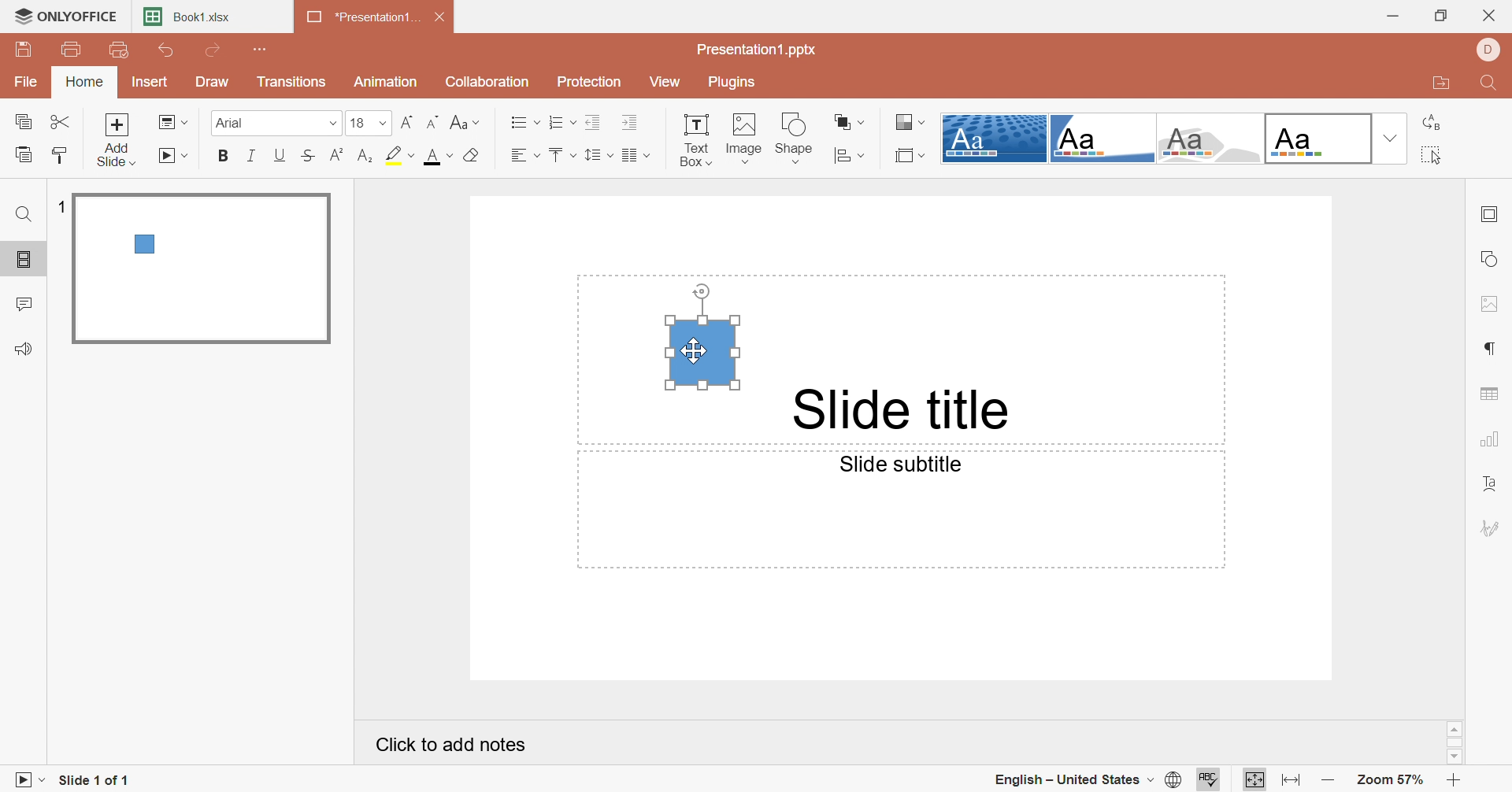  I want to click on Increase Indent, so click(631, 122).